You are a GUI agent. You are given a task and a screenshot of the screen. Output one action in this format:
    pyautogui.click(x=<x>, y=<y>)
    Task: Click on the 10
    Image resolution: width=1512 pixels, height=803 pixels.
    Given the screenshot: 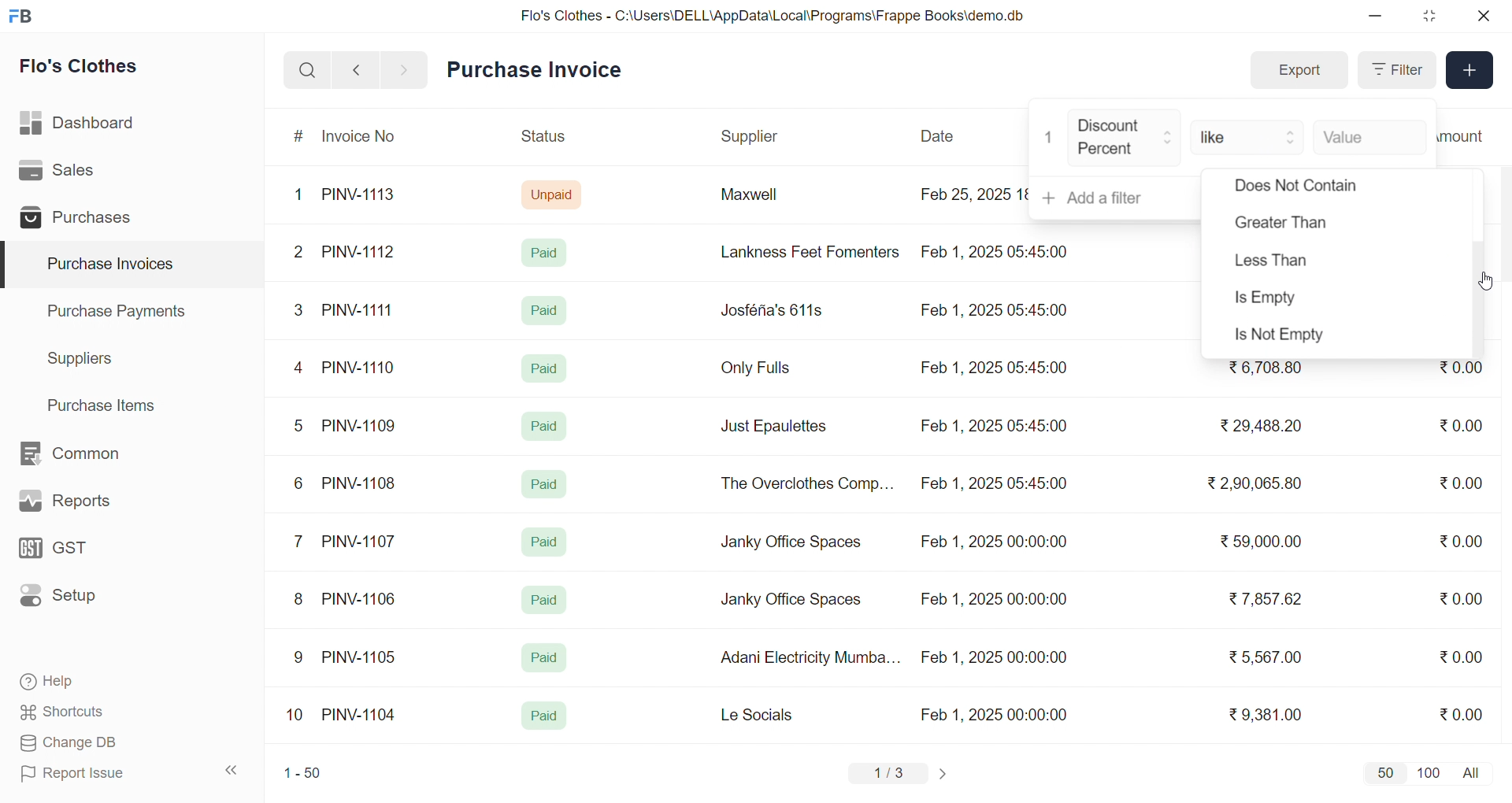 What is the action you would take?
    pyautogui.click(x=298, y=716)
    